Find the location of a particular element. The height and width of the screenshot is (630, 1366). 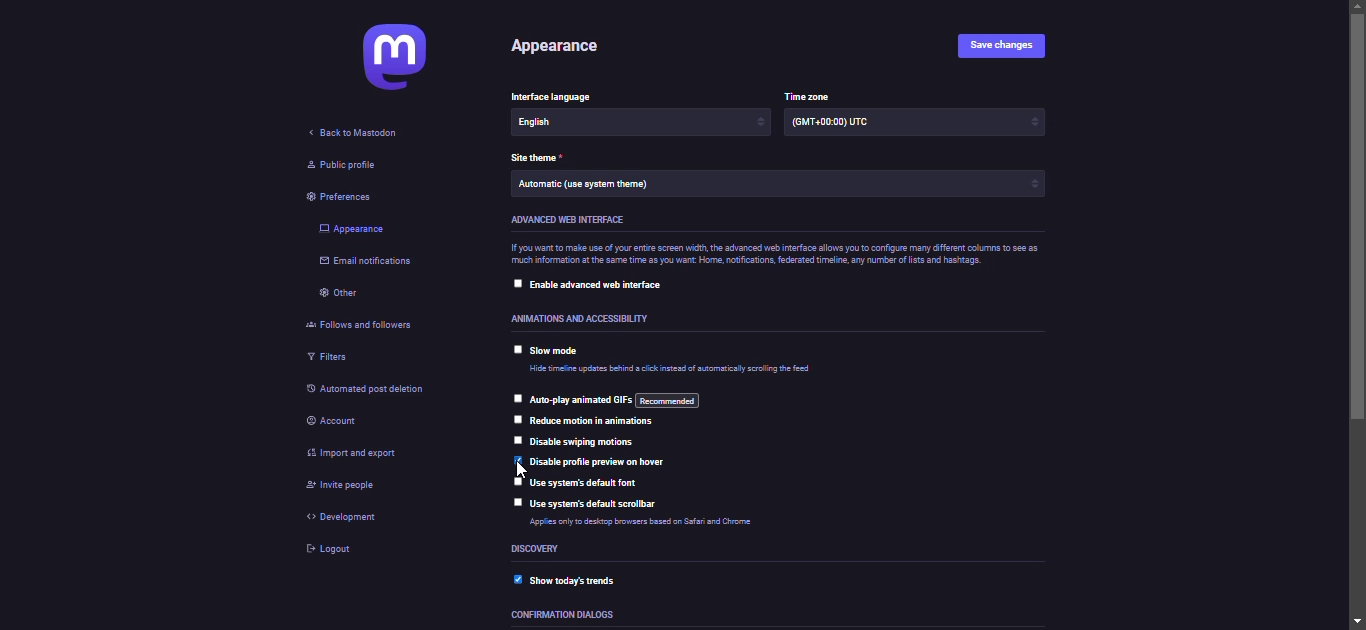

disable swiping motions is located at coordinates (587, 443).